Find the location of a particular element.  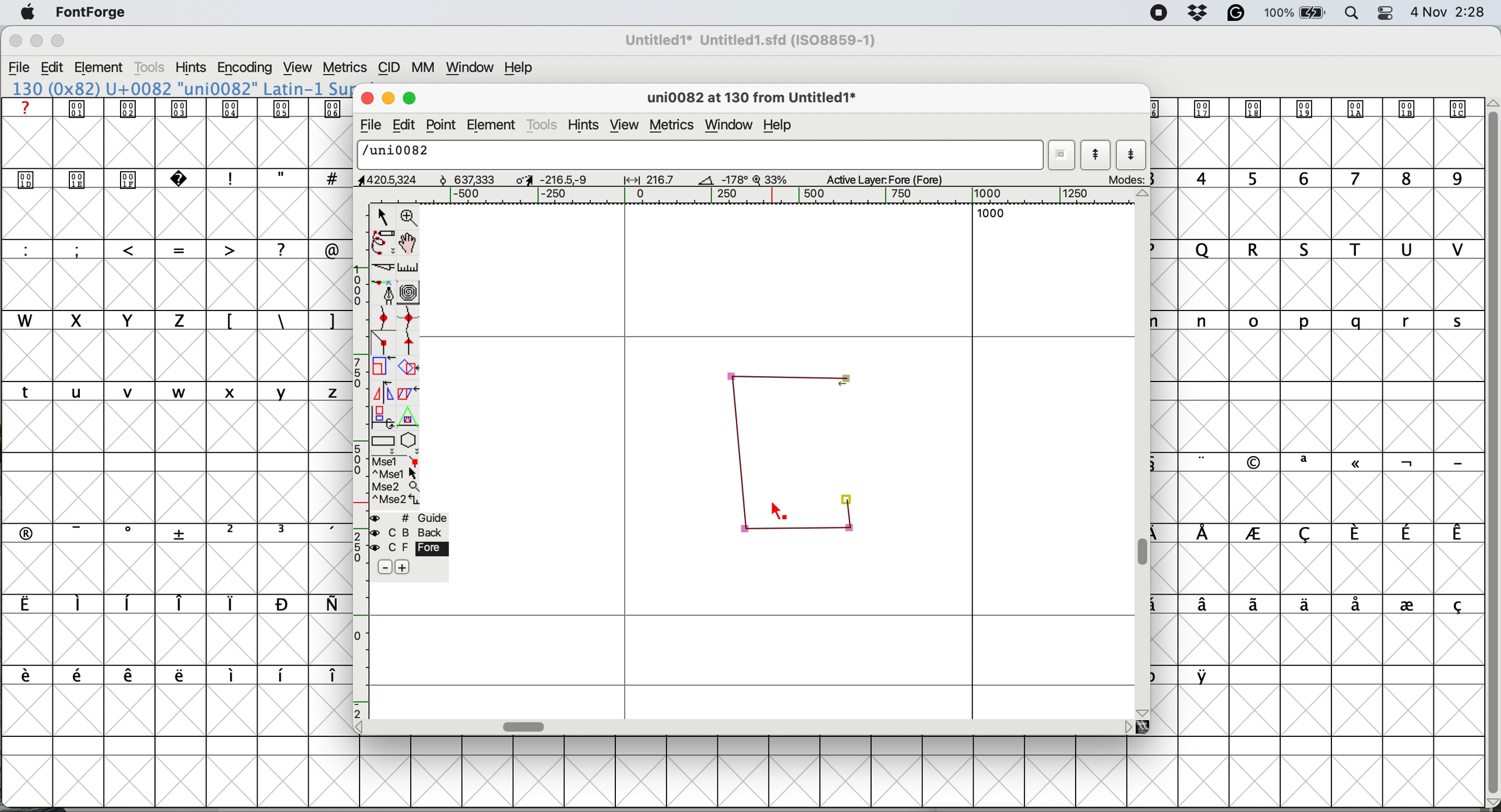

flip the selection is located at coordinates (381, 393).